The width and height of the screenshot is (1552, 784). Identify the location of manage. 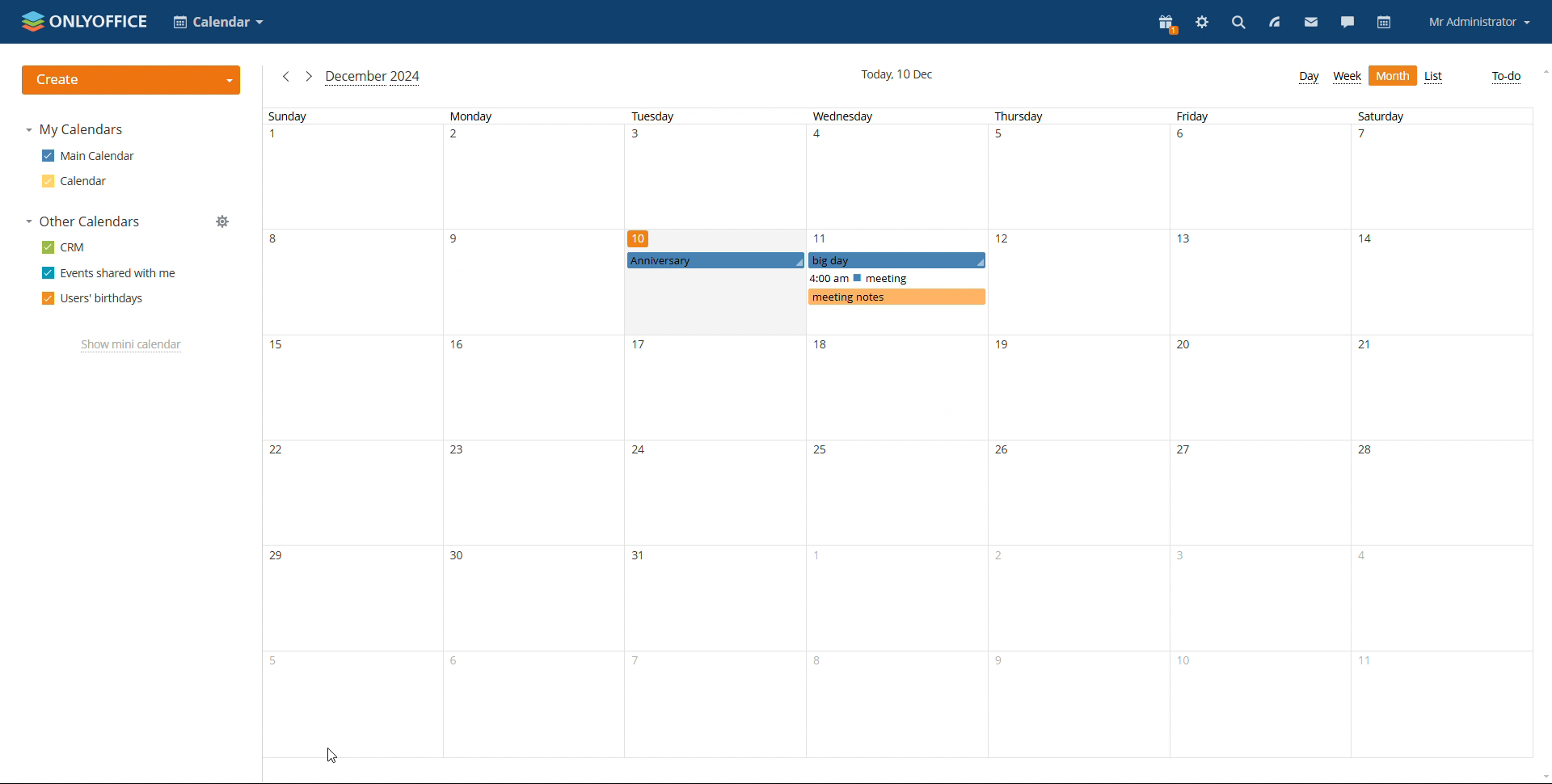
(223, 221).